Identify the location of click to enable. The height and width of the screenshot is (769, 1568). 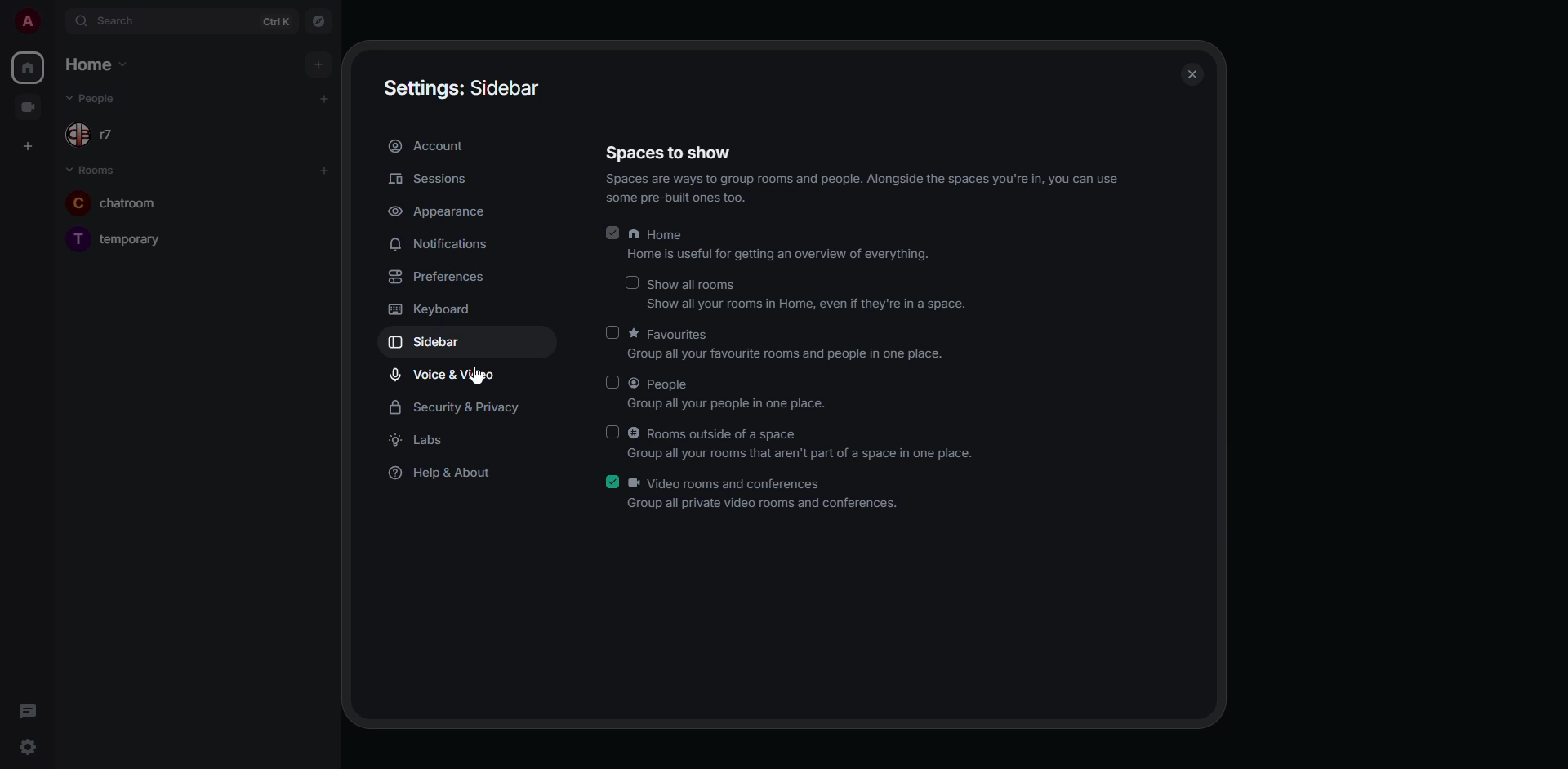
(613, 330).